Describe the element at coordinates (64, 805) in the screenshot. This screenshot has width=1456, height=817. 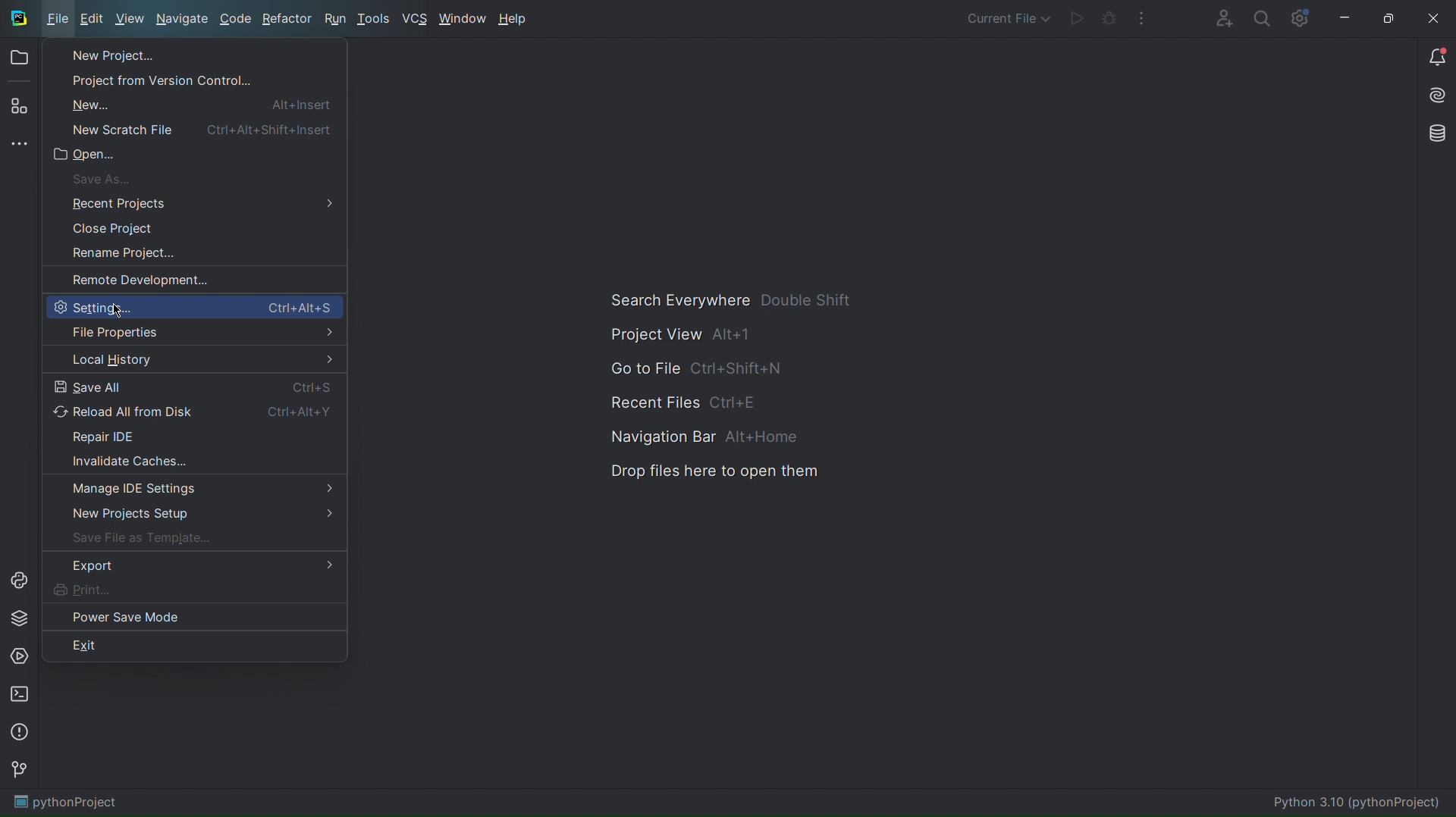
I see `pythonProject` at that location.